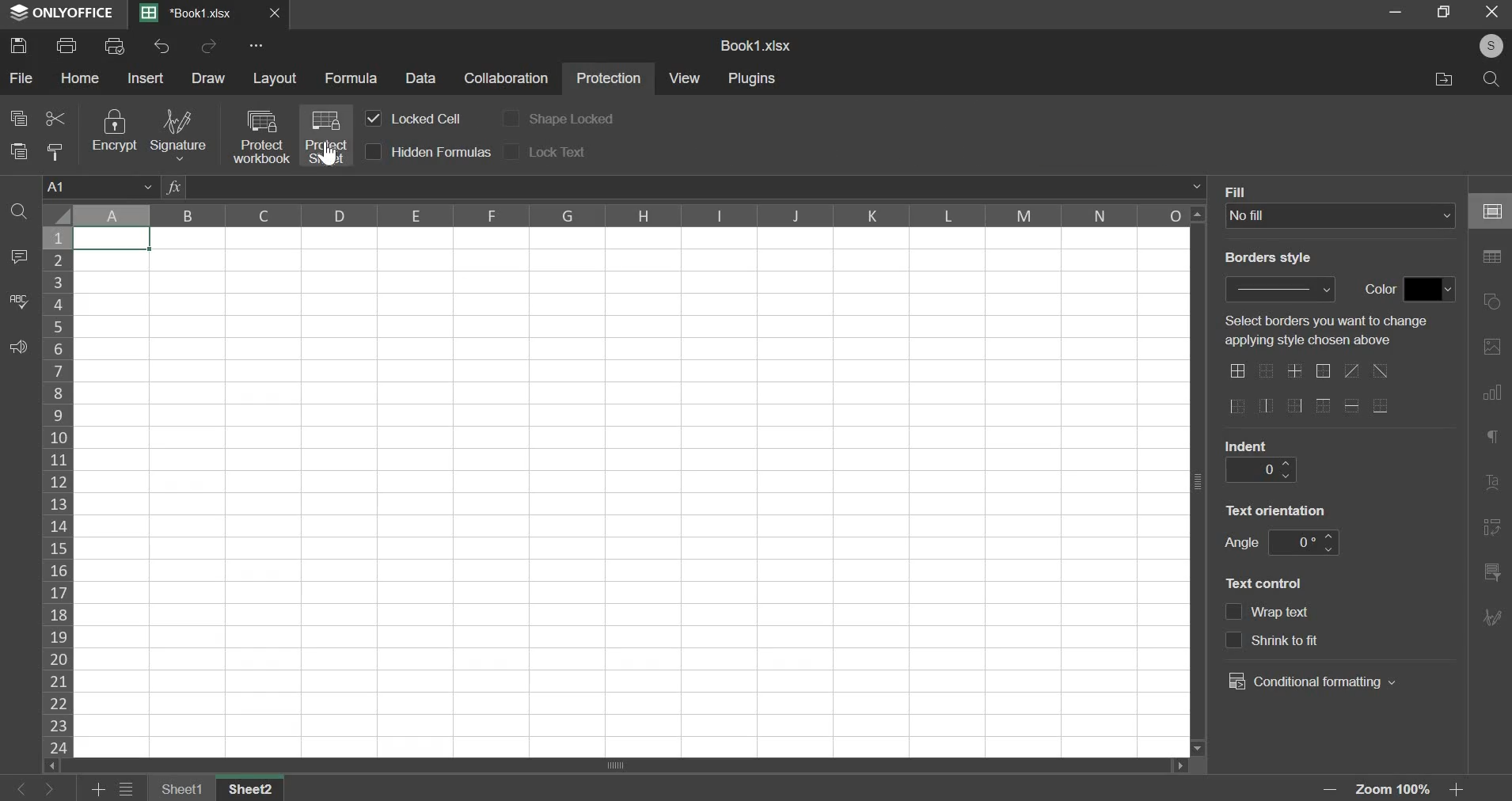 The width and height of the screenshot is (1512, 801). What do you see at coordinates (1396, 11) in the screenshot?
I see `Restore down` at bounding box center [1396, 11].